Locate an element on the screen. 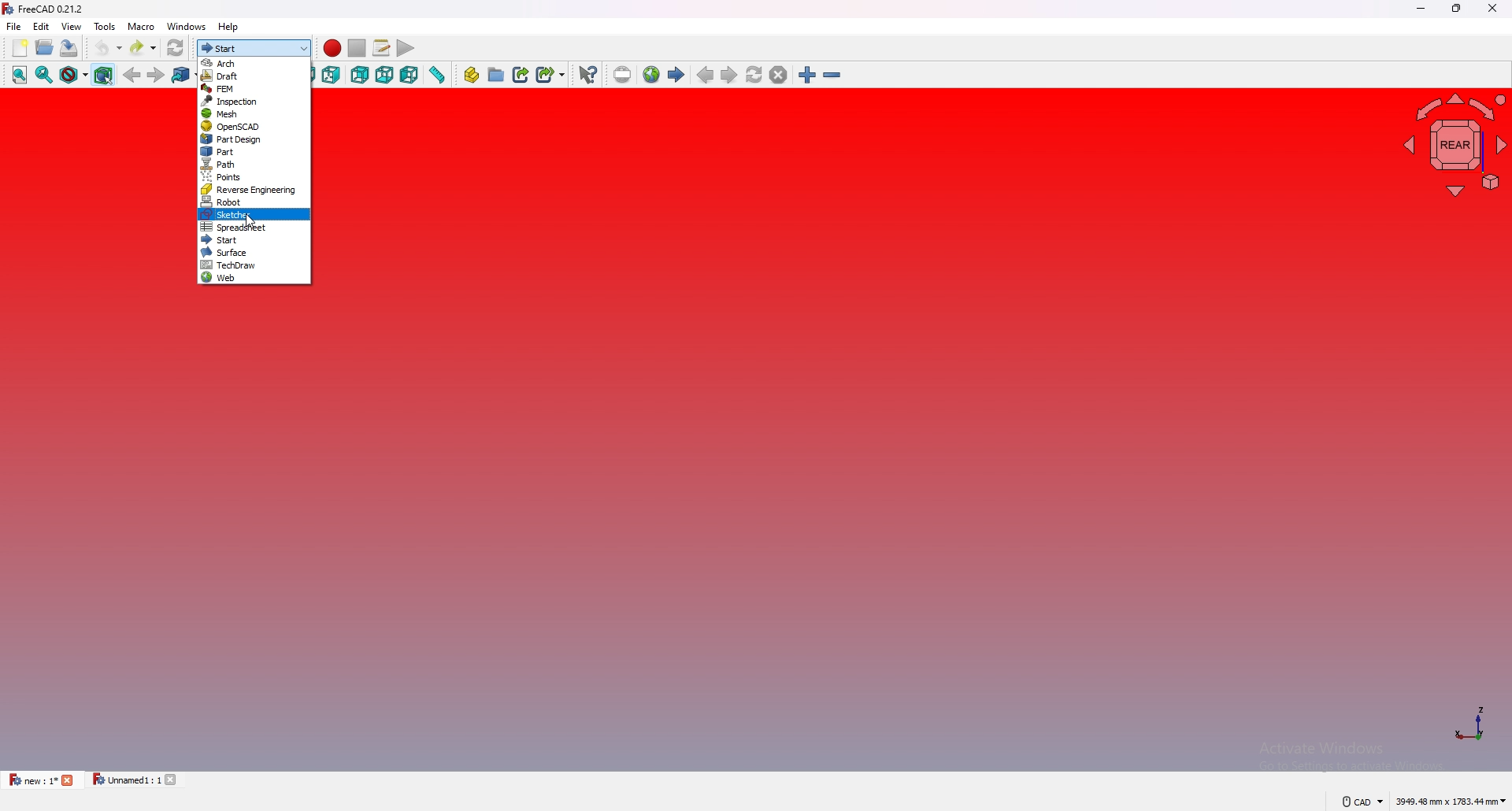 Image resolution: width=1512 pixels, height=811 pixels. close is located at coordinates (176, 779).